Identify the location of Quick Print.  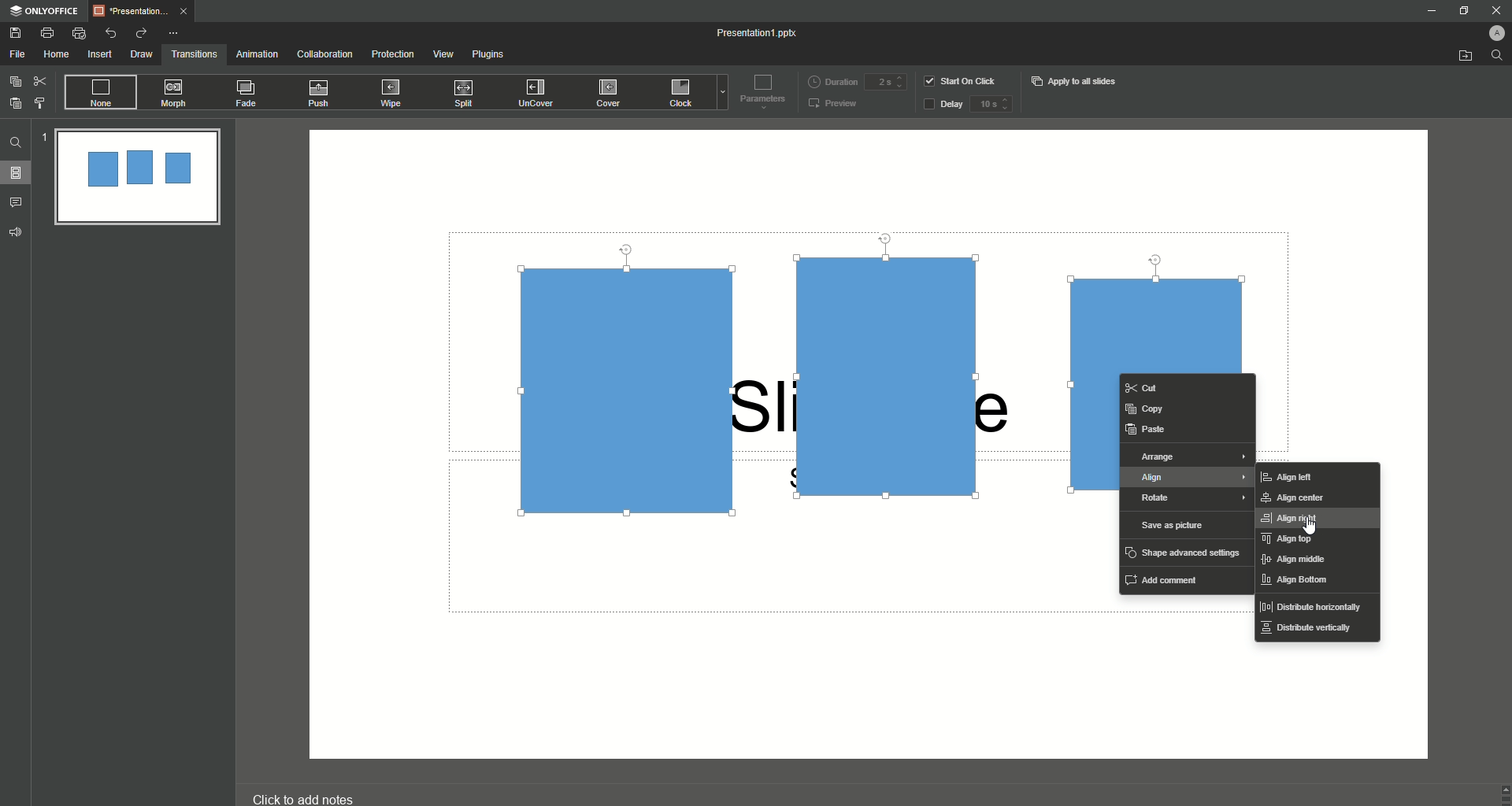
(80, 34).